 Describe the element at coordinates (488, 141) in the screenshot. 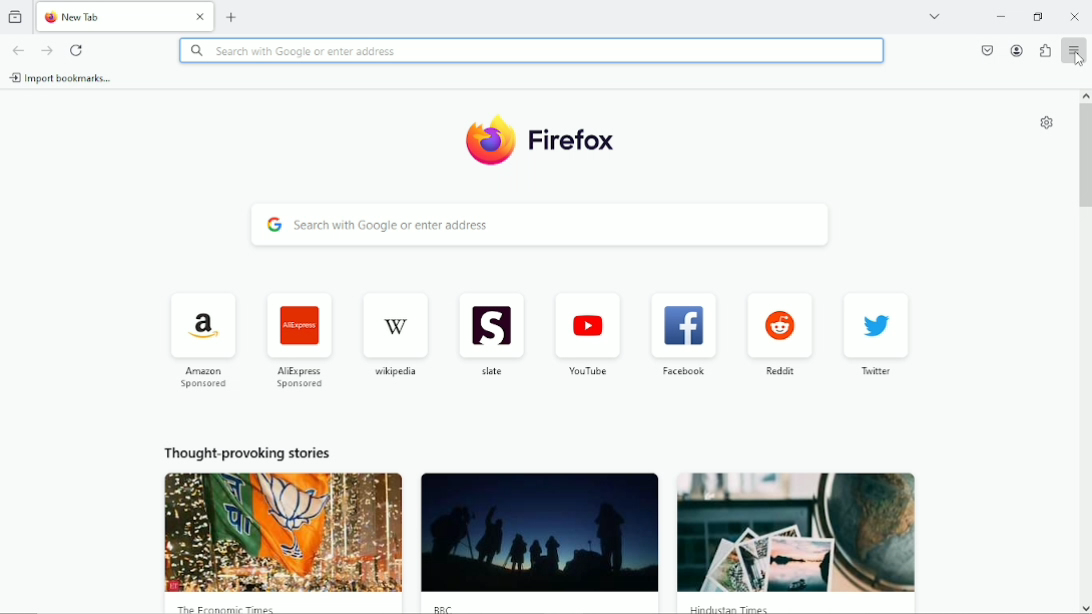

I see `logo` at that location.